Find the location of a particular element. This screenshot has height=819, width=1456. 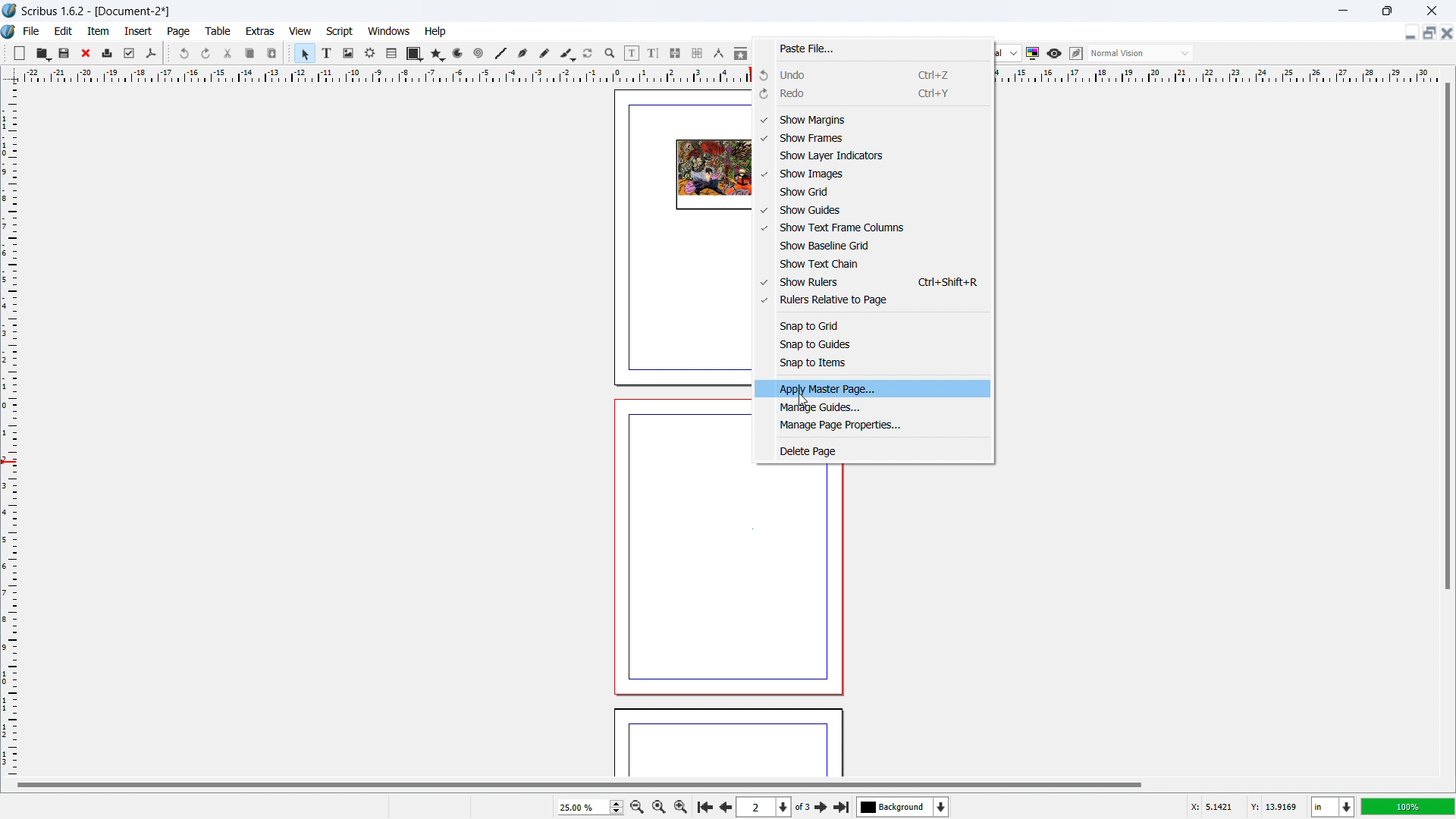

script is located at coordinates (340, 32).